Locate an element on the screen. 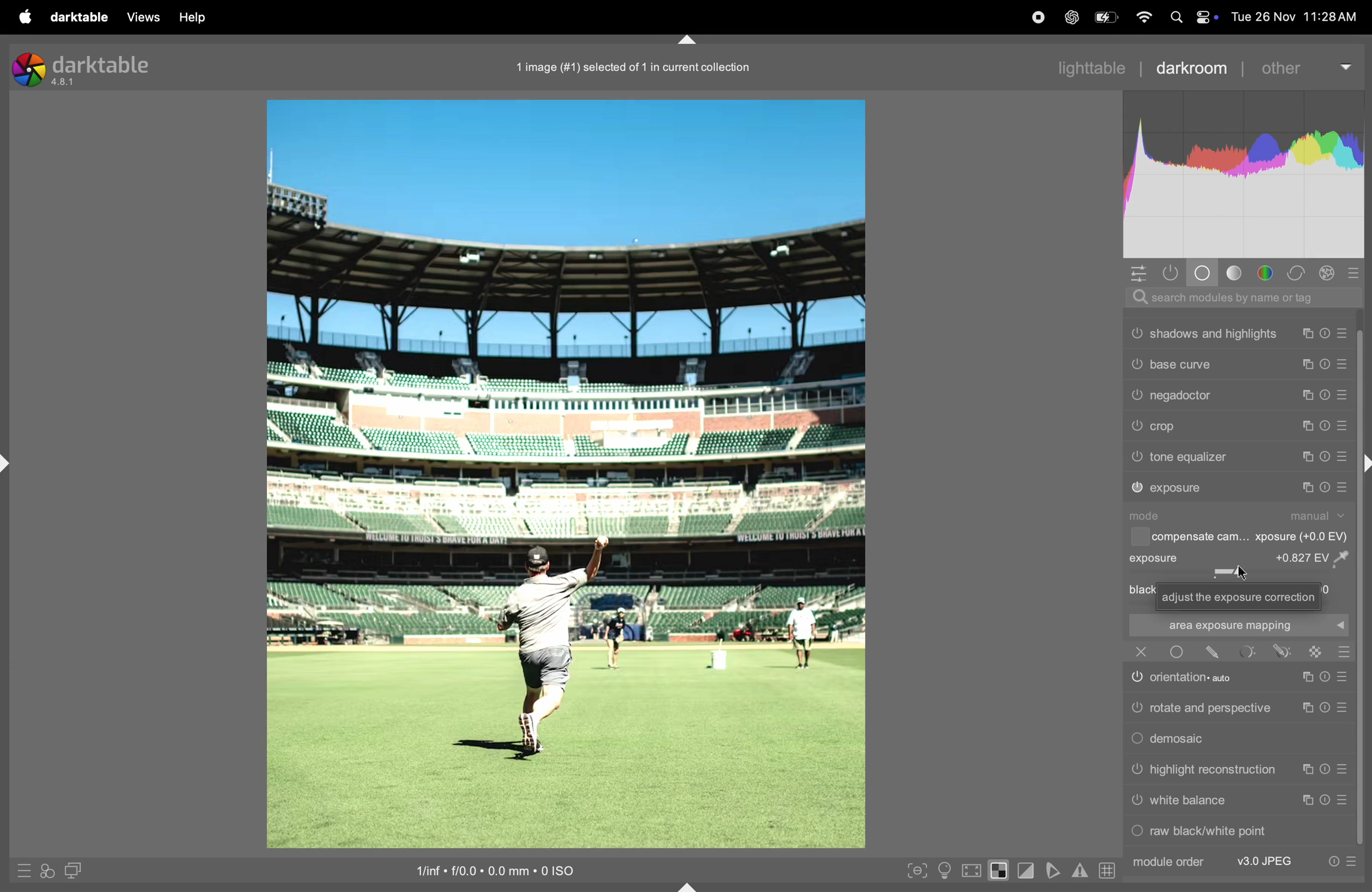 This screenshot has width=1372, height=892. nega doctor is located at coordinates (1183, 398).